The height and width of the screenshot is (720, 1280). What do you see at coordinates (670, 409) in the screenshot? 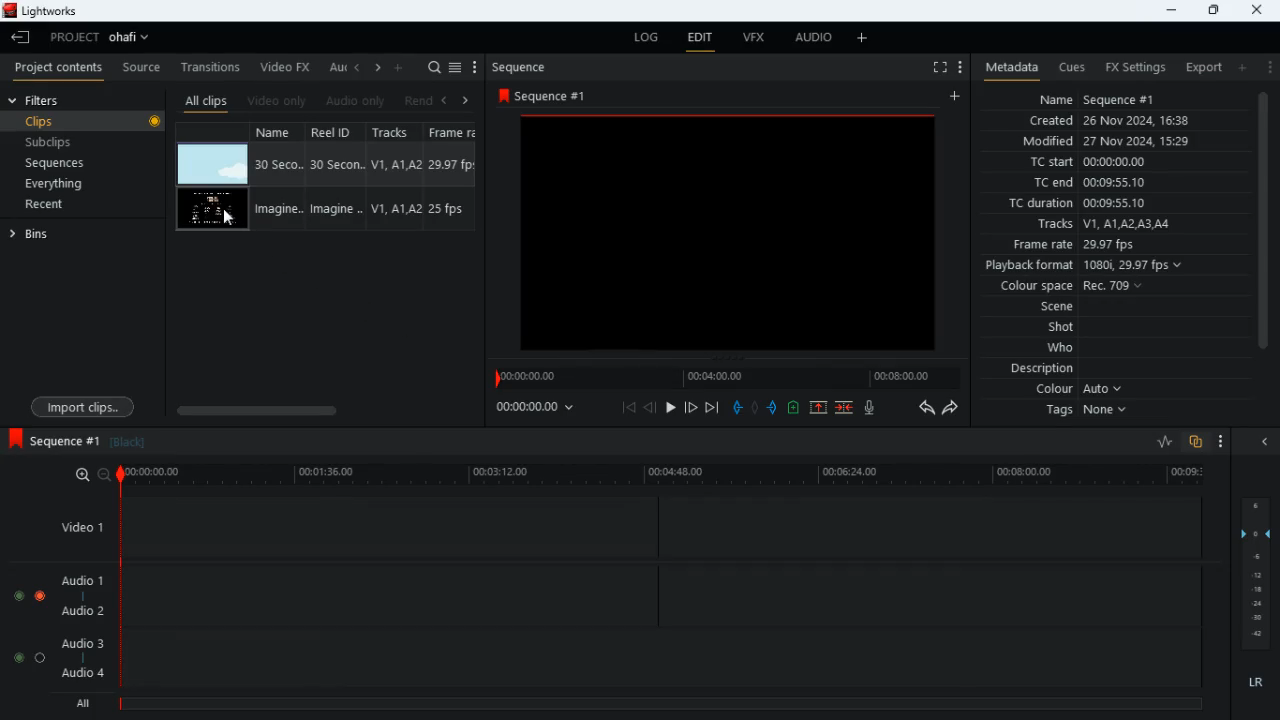
I see `play` at bounding box center [670, 409].